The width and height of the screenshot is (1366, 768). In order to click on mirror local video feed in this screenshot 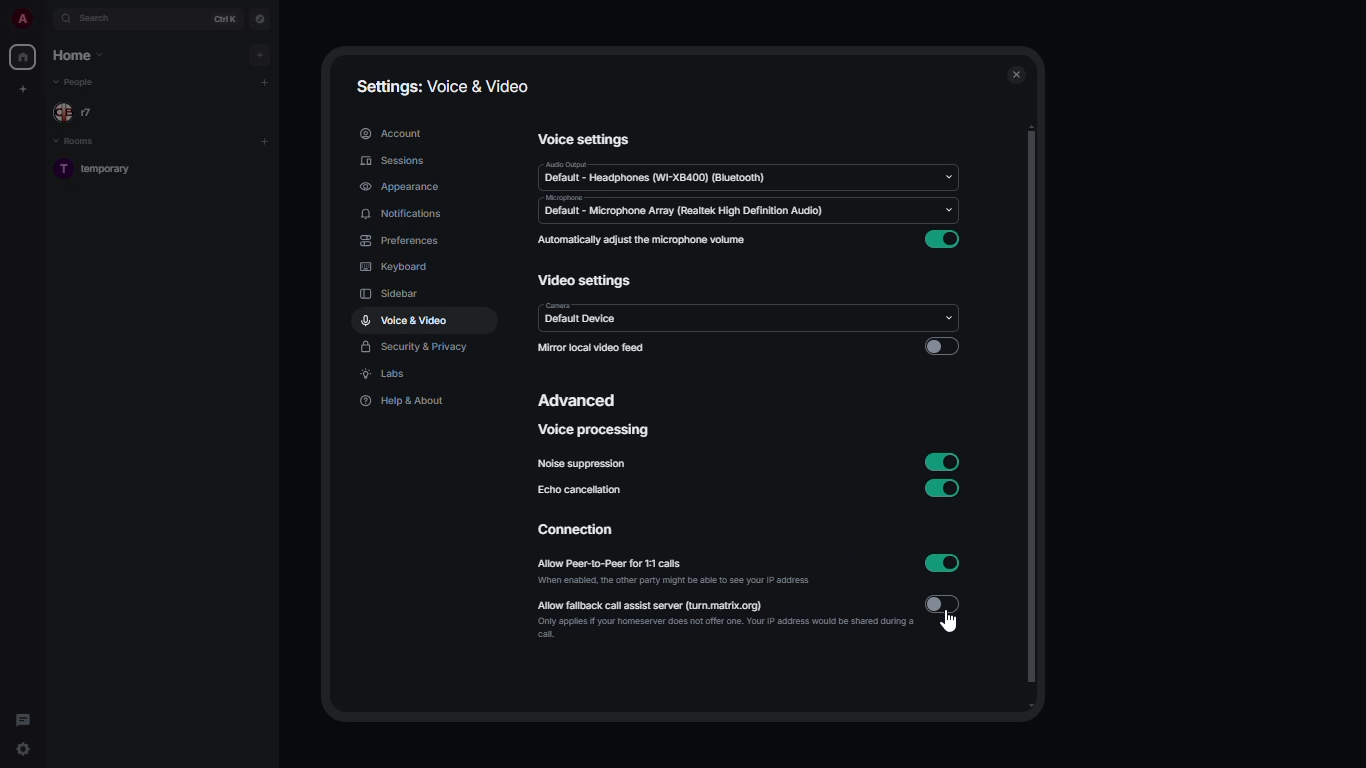, I will do `click(591, 349)`.